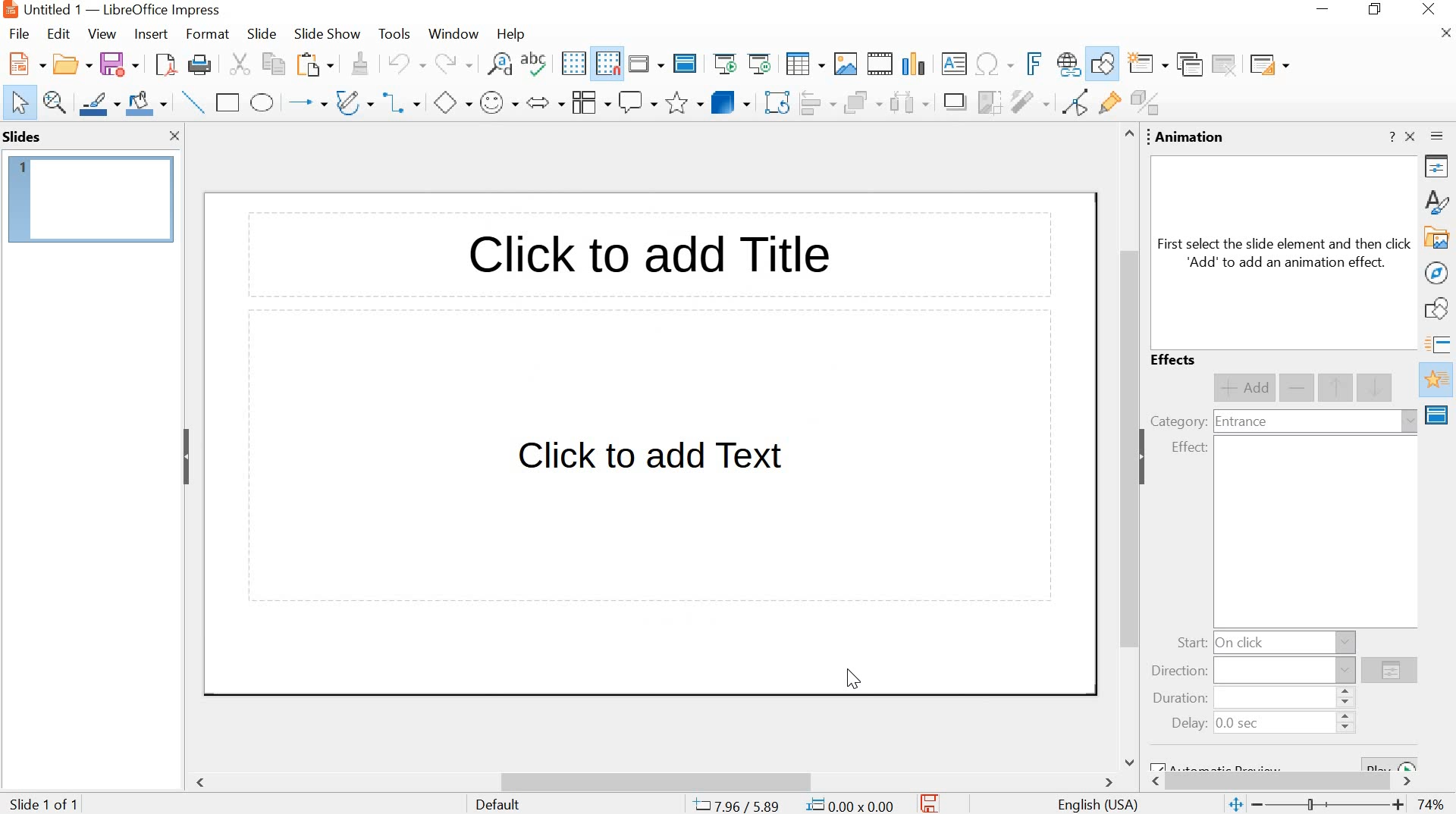 Image resolution: width=1456 pixels, height=814 pixels. What do you see at coordinates (762, 64) in the screenshot?
I see `slideshow from current slide` at bounding box center [762, 64].